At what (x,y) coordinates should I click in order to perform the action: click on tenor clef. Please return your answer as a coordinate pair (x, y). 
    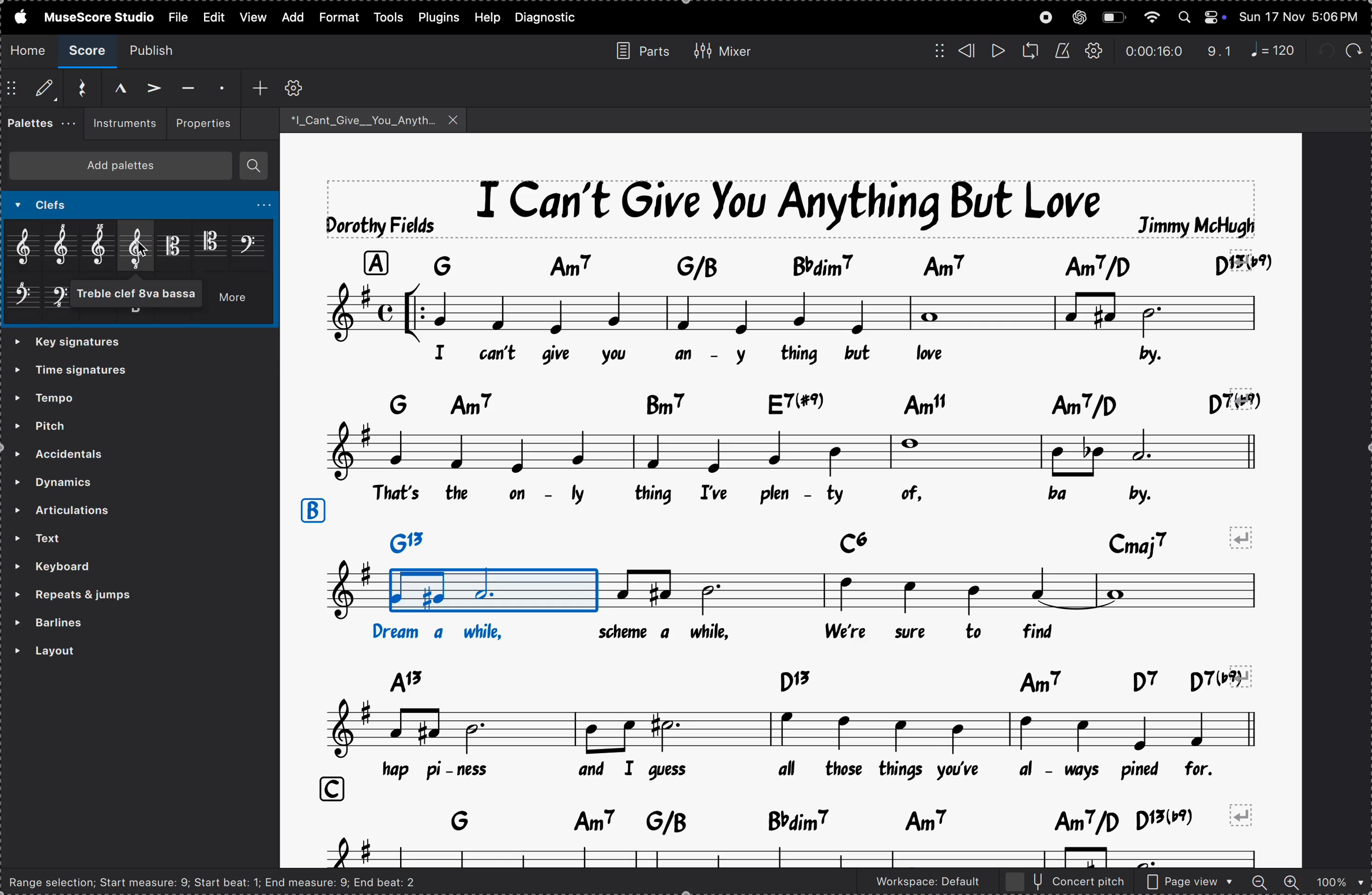
    Looking at the image, I should click on (211, 242).